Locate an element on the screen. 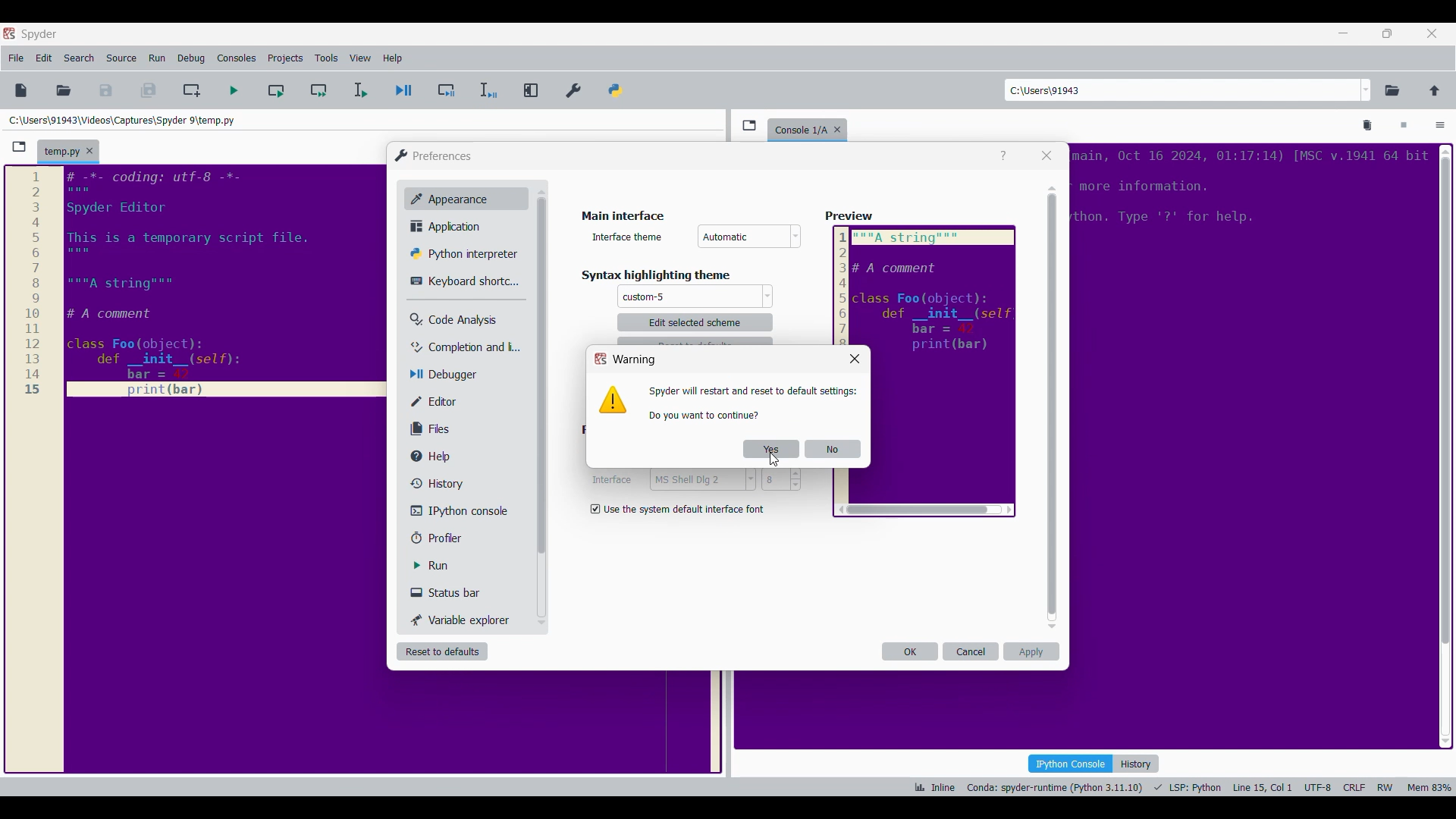  Conda: spyder-runtime (Python 3.11.10) is located at coordinates (1058, 786).